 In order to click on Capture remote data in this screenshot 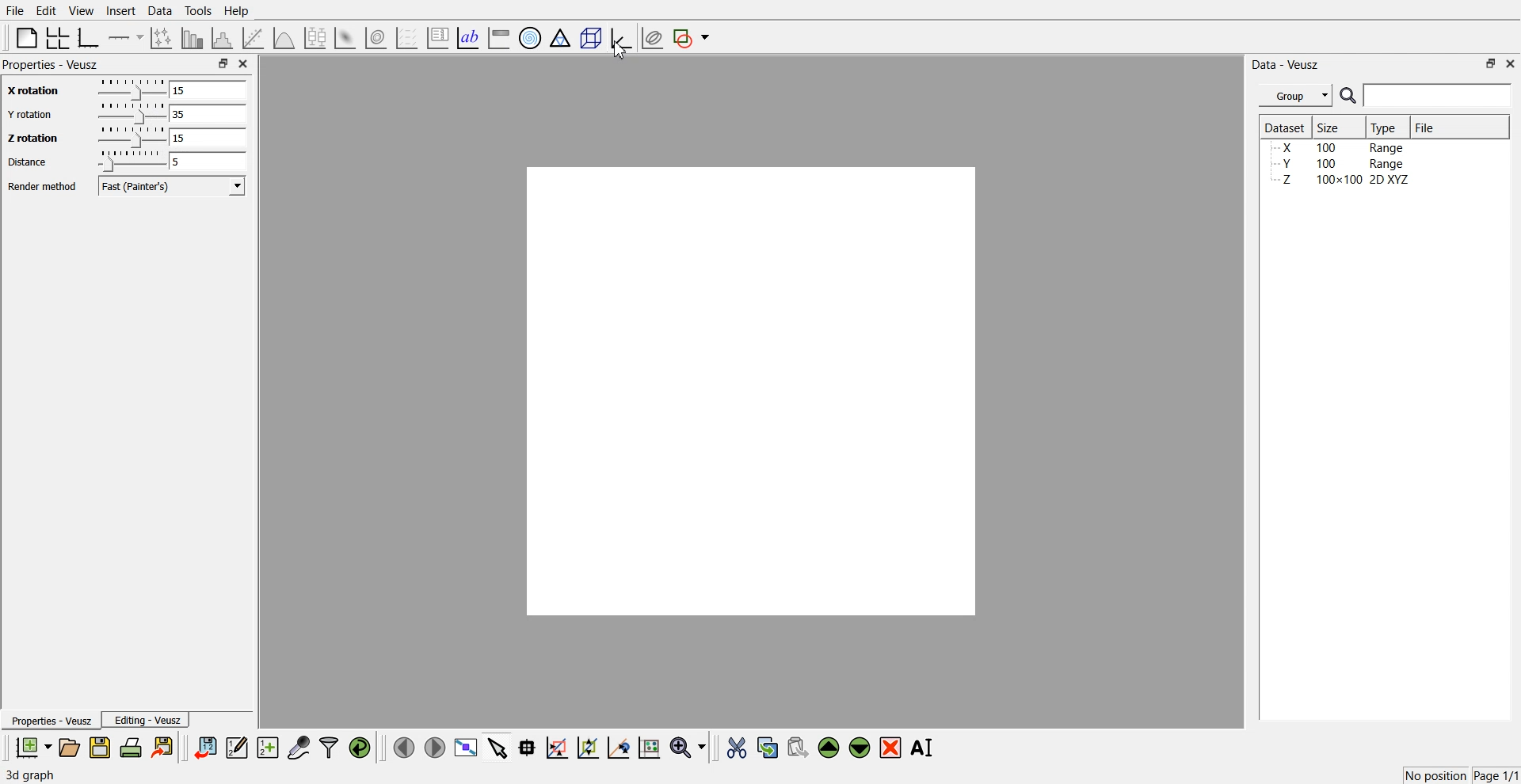, I will do `click(299, 747)`.